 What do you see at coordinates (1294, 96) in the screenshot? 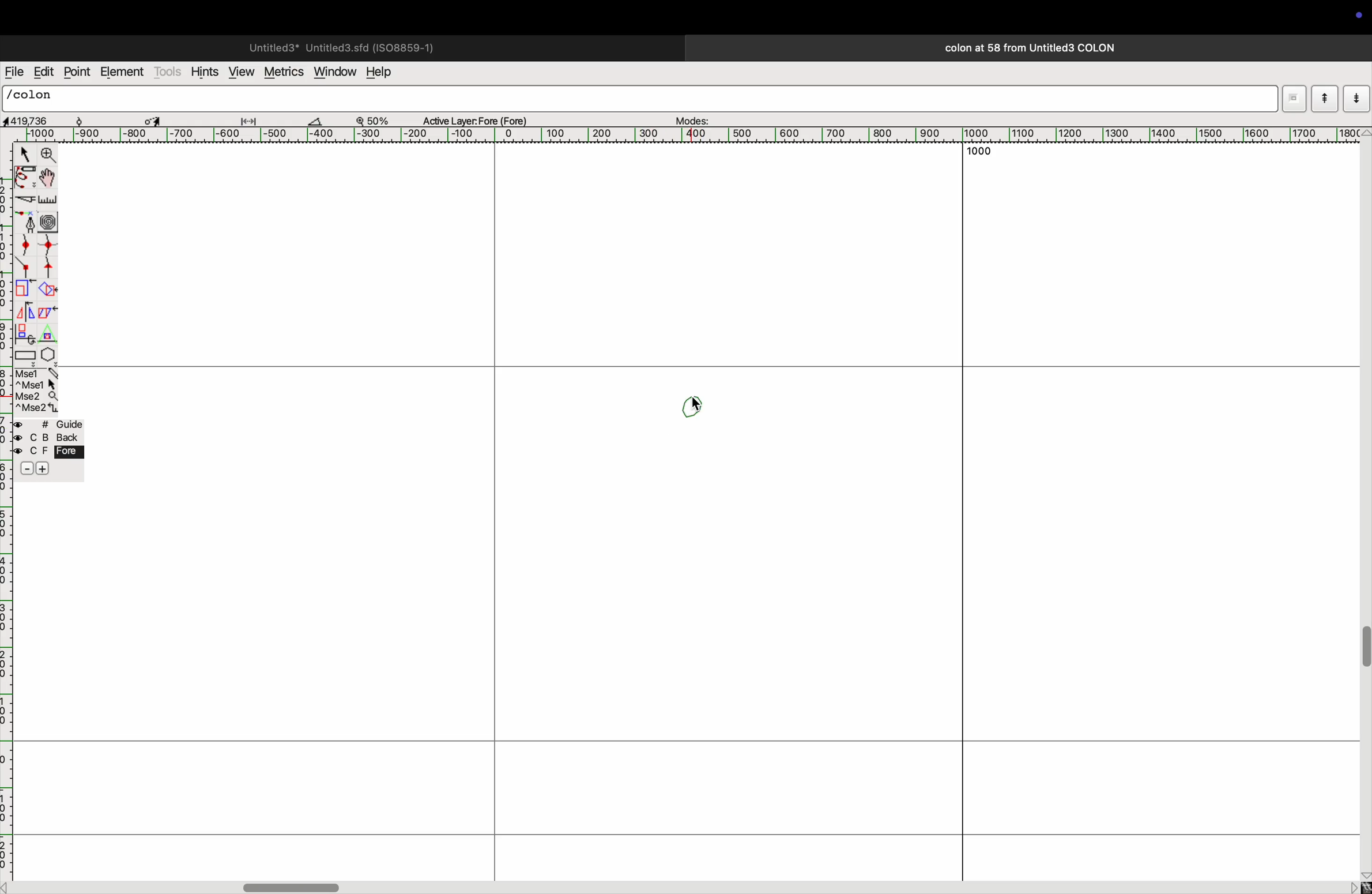
I see `Mode` at bounding box center [1294, 96].